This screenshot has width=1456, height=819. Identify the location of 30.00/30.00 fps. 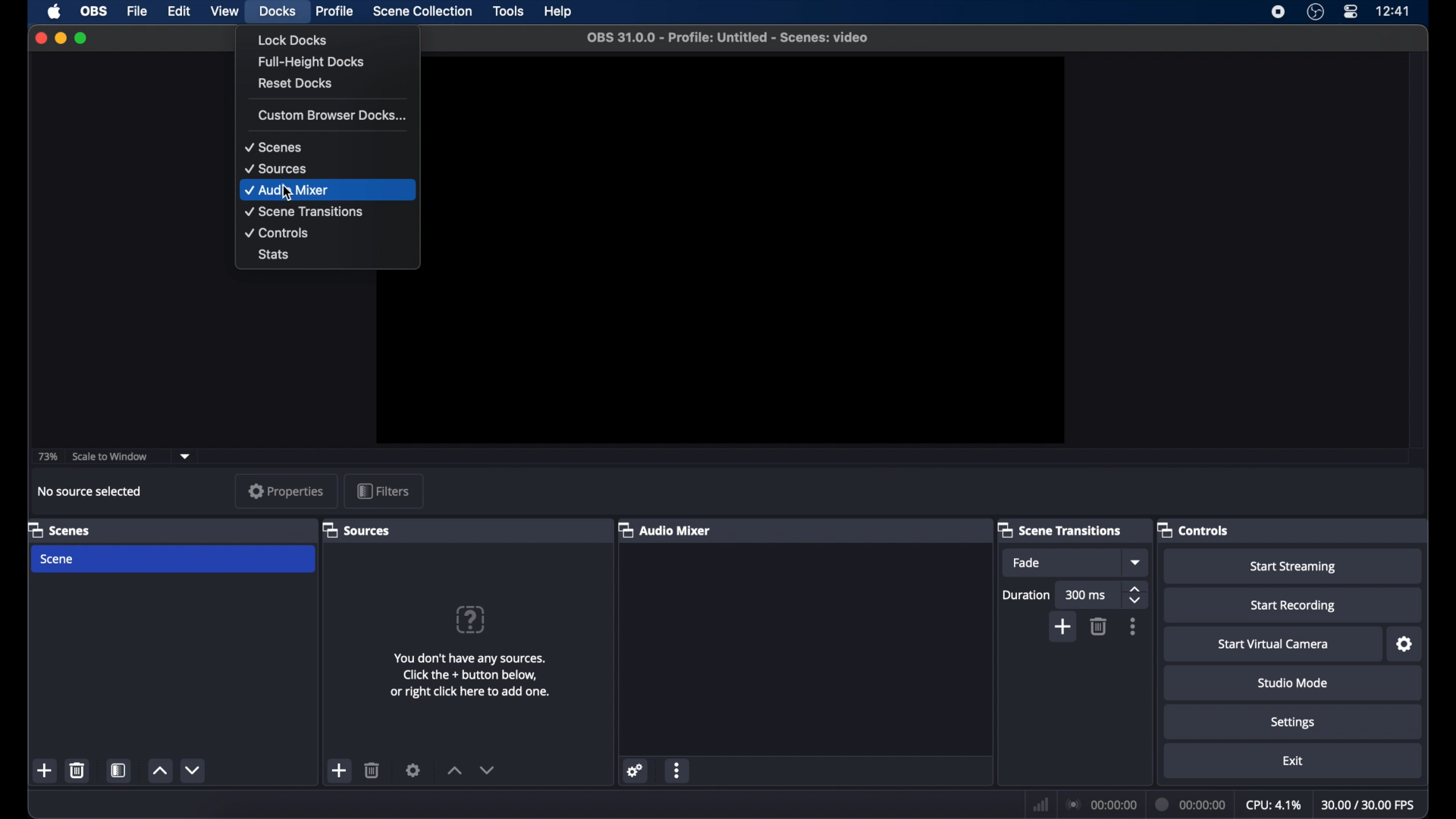
(1371, 805).